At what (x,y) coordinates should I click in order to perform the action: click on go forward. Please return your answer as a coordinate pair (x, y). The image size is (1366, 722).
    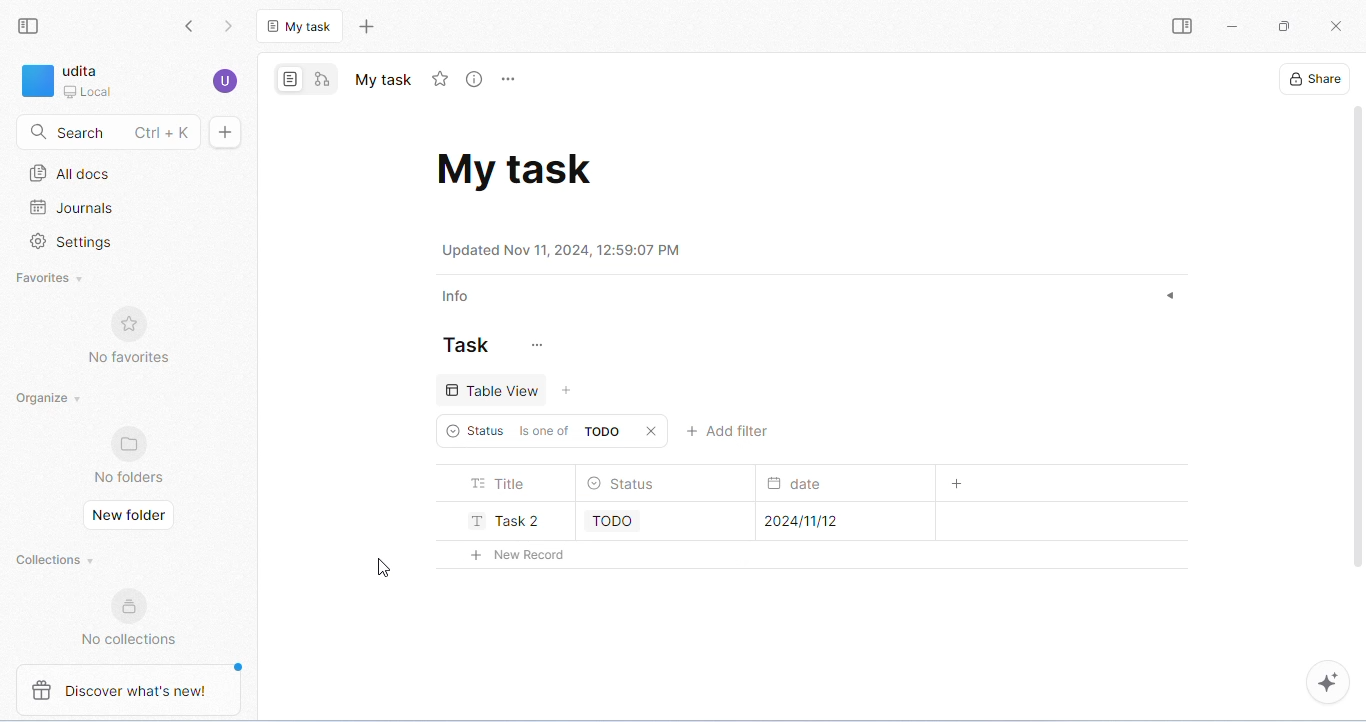
    Looking at the image, I should click on (231, 27).